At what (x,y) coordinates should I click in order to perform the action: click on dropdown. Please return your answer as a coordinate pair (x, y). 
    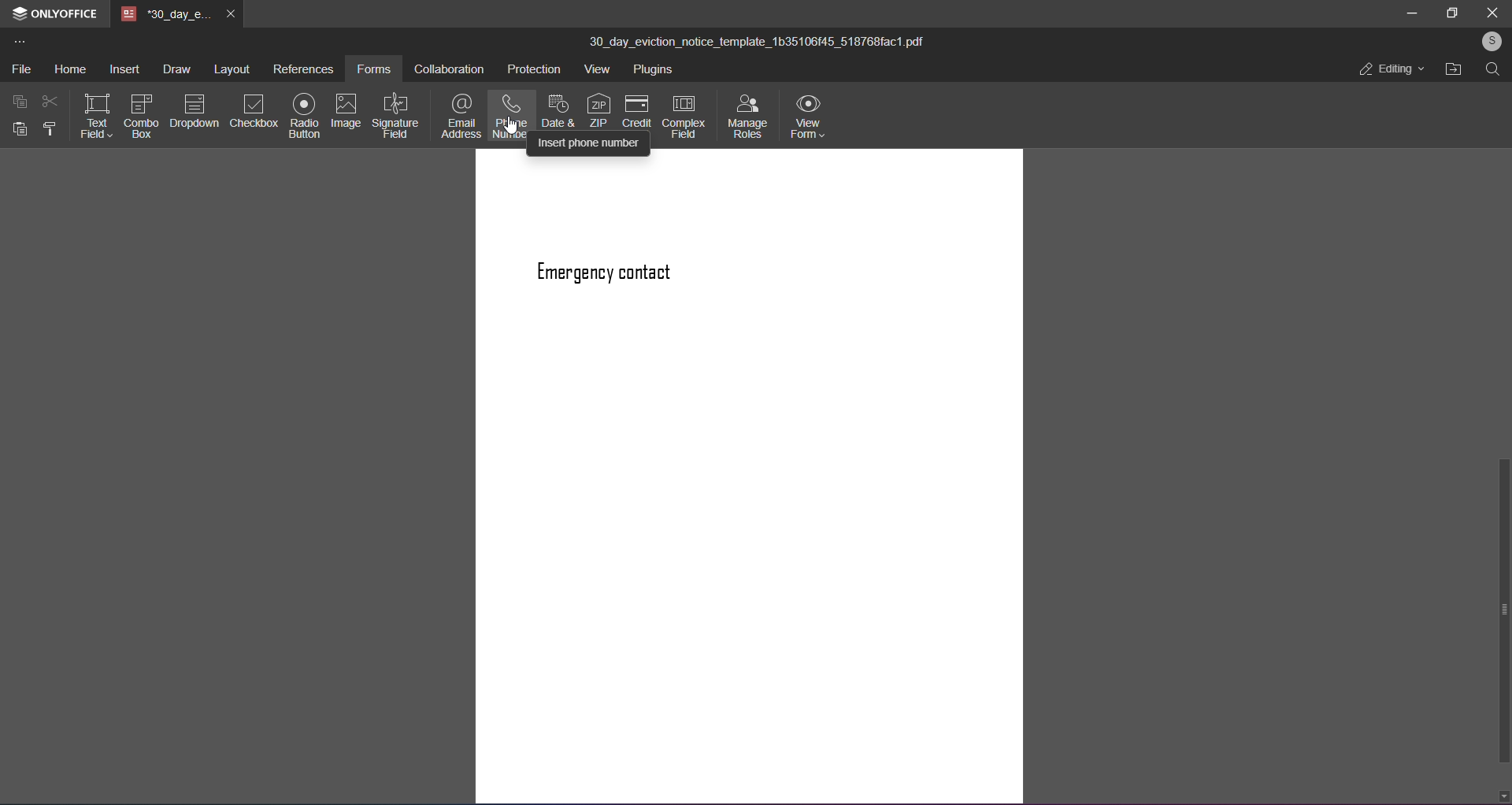
    Looking at the image, I should click on (196, 111).